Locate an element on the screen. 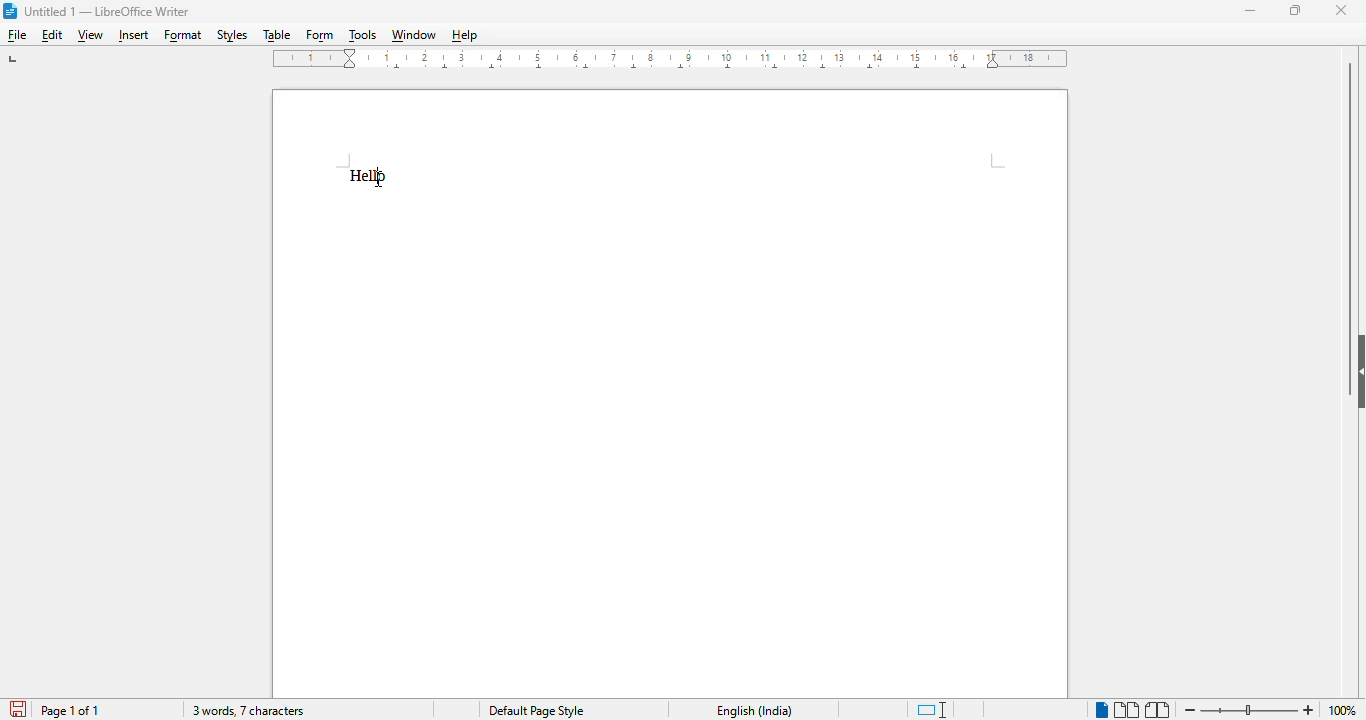 Image resolution: width=1366 pixels, height=720 pixels. edit is located at coordinates (53, 35).